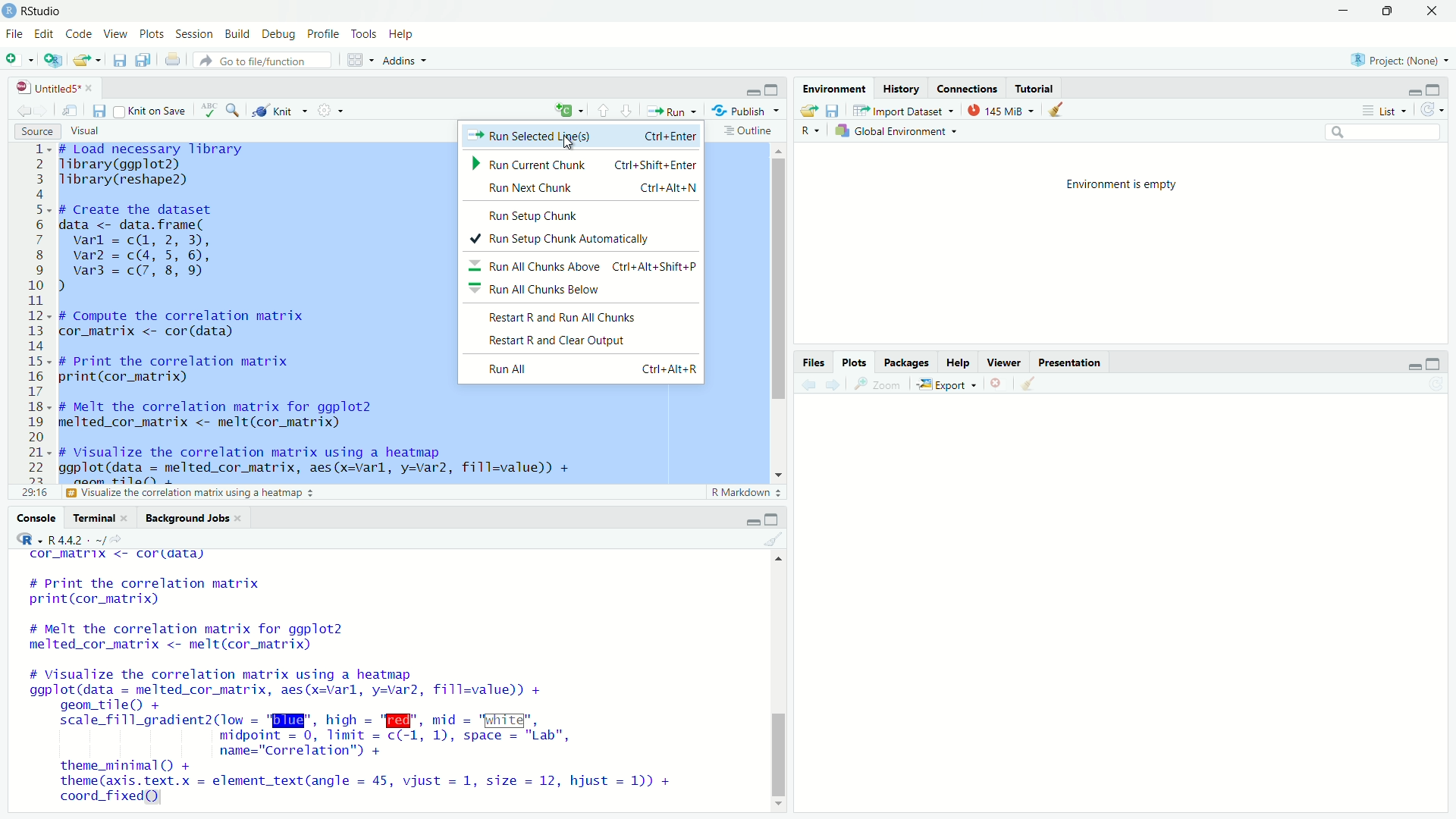  What do you see at coordinates (403, 35) in the screenshot?
I see `help` at bounding box center [403, 35].